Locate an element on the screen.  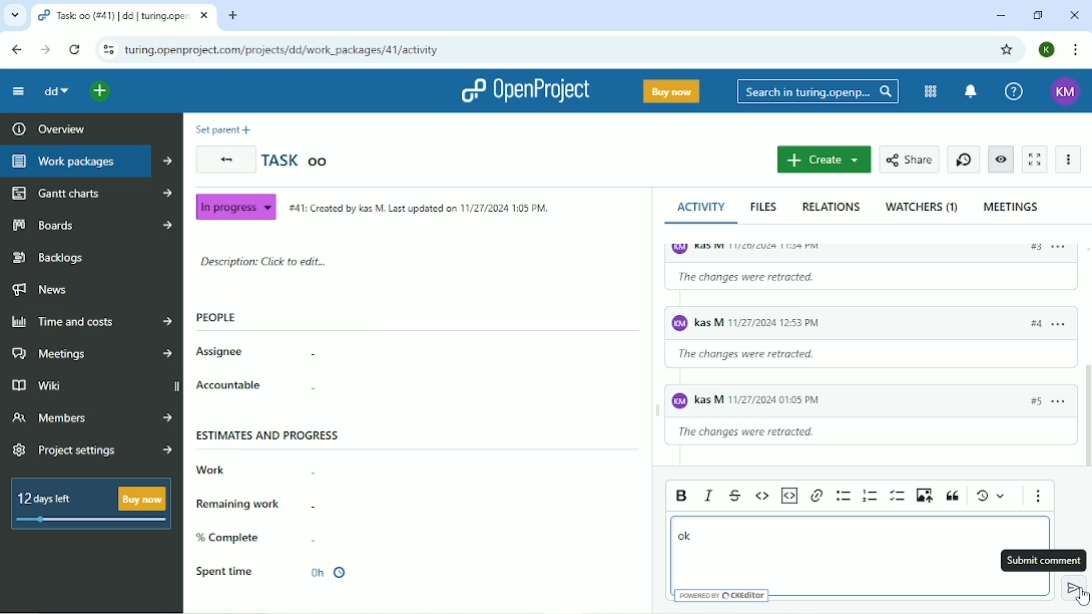
Open quick add menu is located at coordinates (102, 92).